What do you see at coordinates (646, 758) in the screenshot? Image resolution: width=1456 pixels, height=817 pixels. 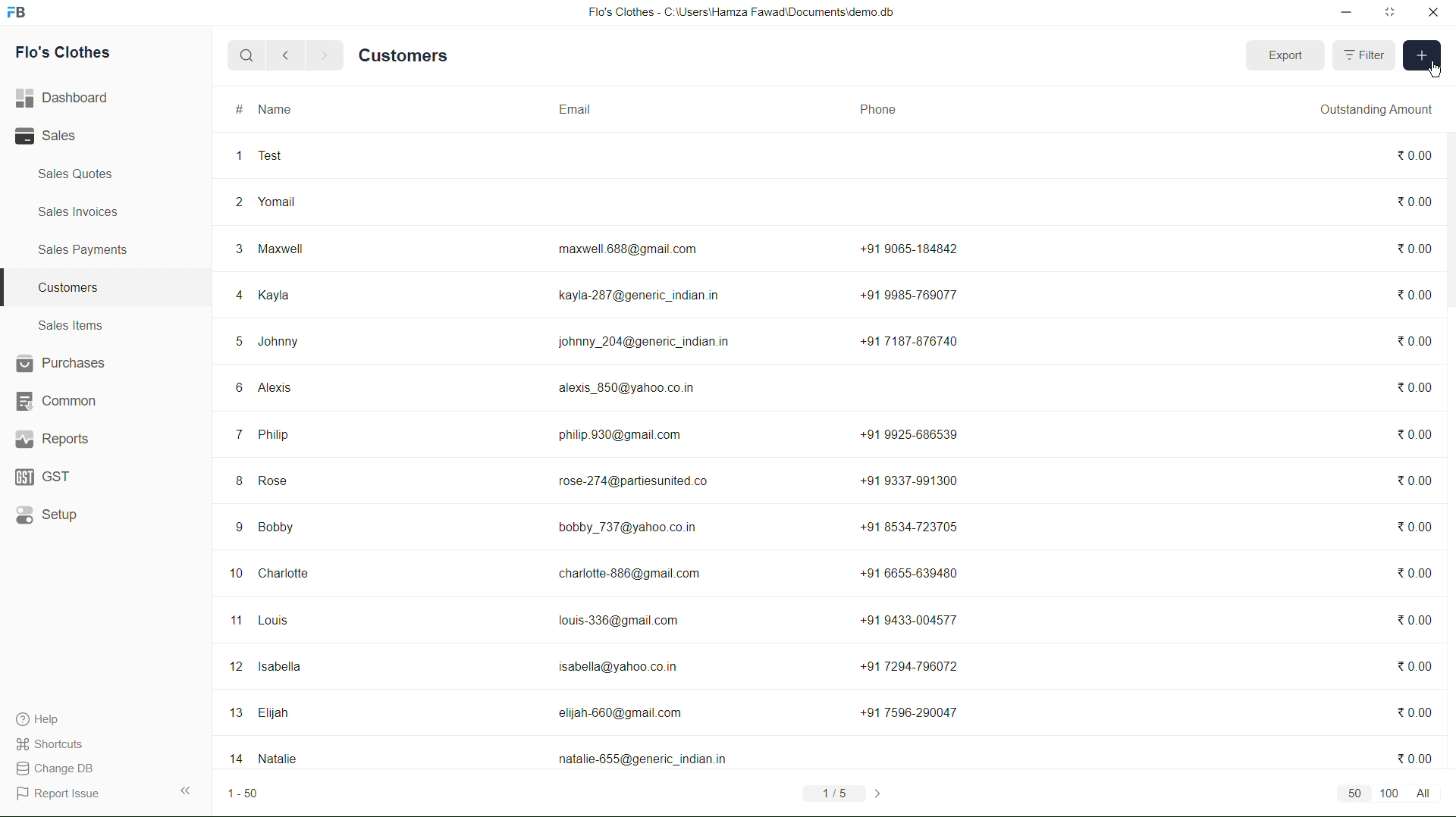 I see `natalie-655@generic_indian.in` at bounding box center [646, 758].